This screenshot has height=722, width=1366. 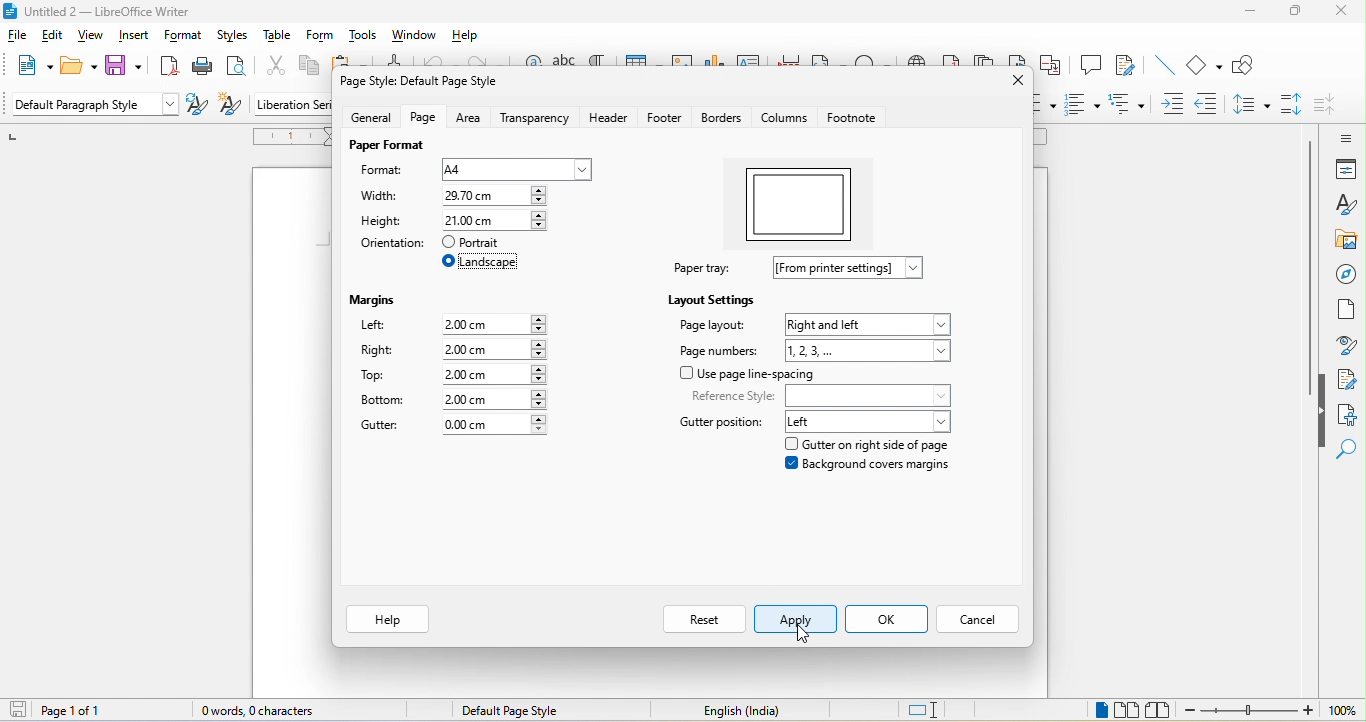 I want to click on insert, so click(x=132, y=38).